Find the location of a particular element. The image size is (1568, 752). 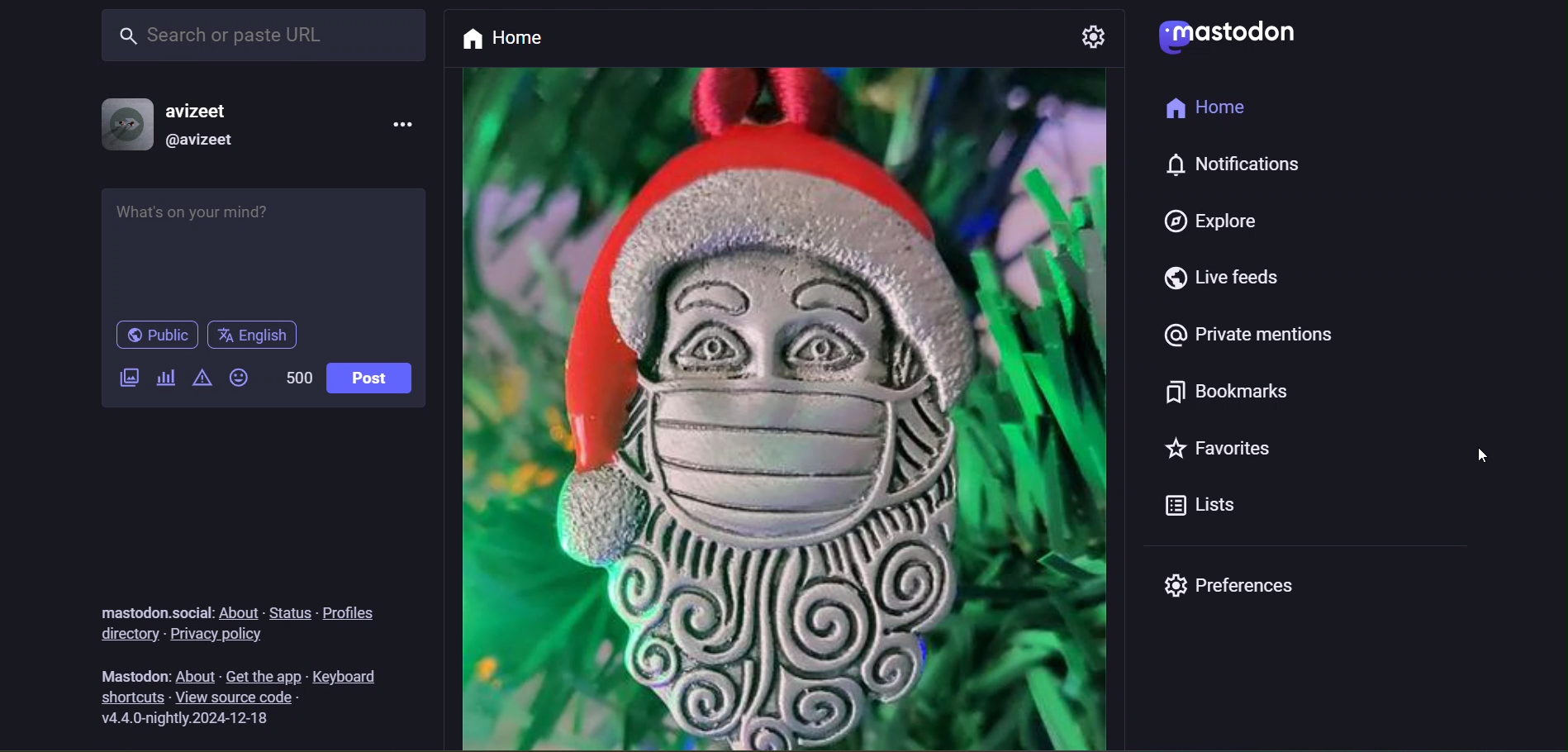

profiles is located at coordinates (356, 609).